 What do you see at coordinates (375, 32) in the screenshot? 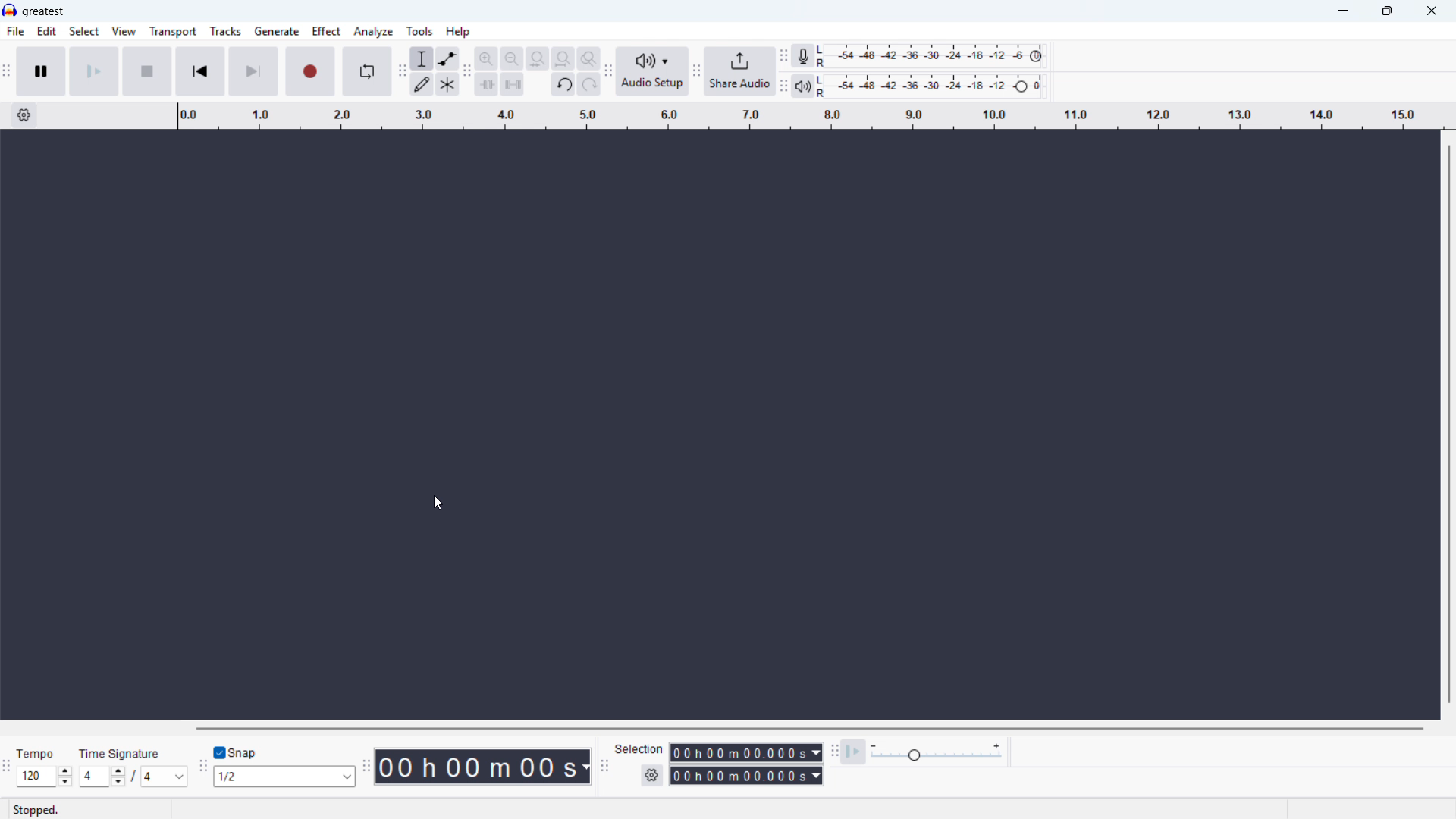
I see `Analyse ` at bounding box center [375, 32].